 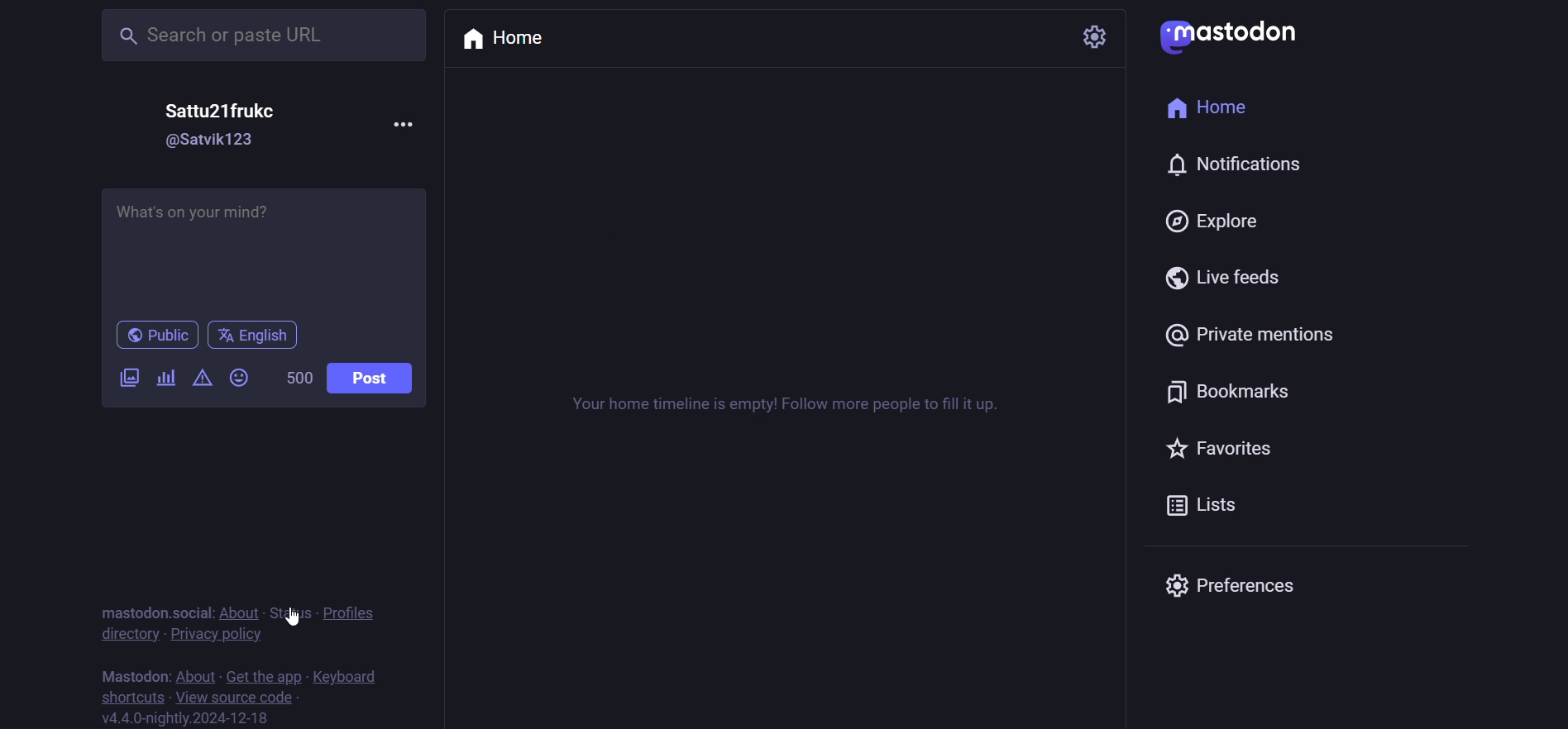 I want to click on emoji, so click(x=240, y=375).